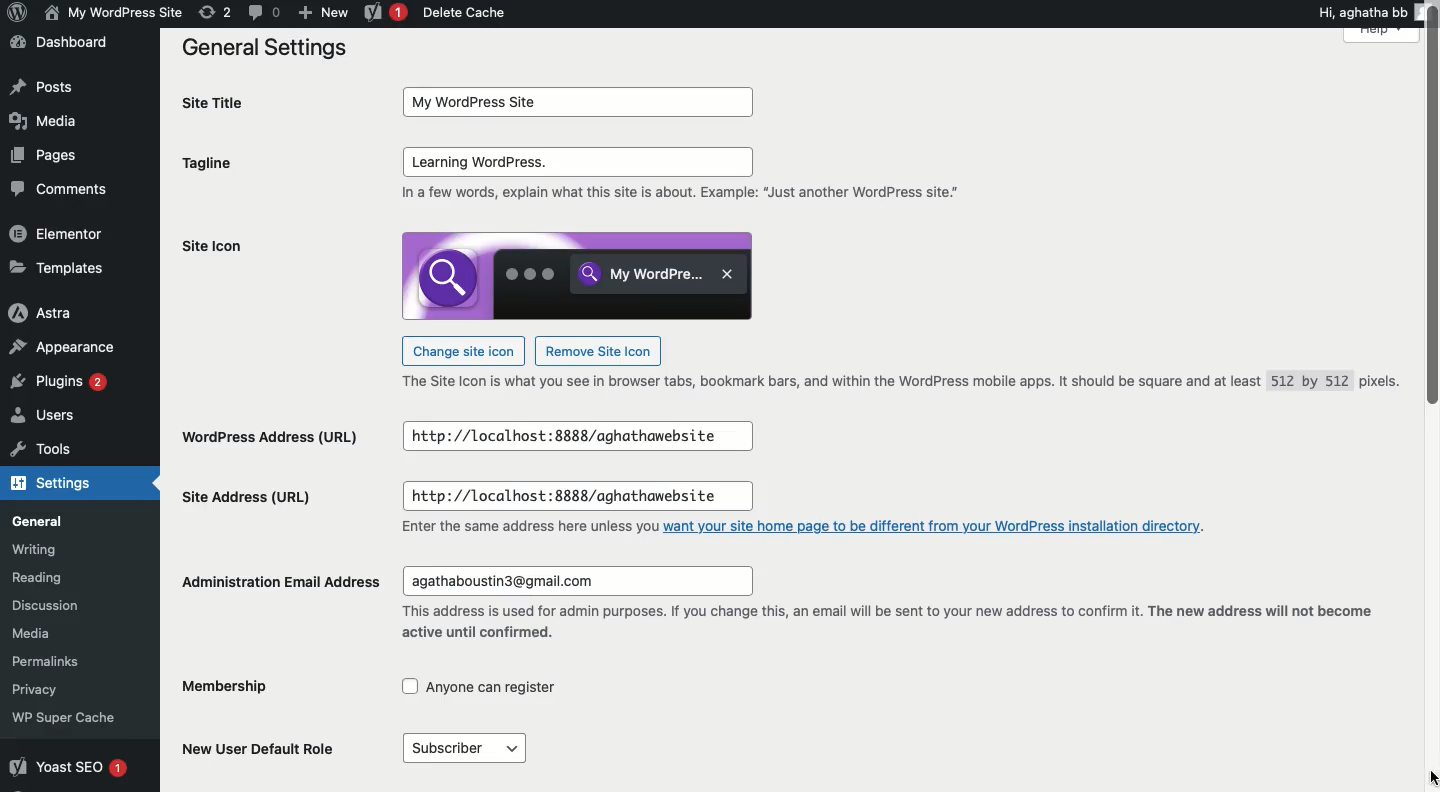  What do you see at coordinates (69, 579) in the screenshot?
I see `Reading` at bounding box center [69, 579].